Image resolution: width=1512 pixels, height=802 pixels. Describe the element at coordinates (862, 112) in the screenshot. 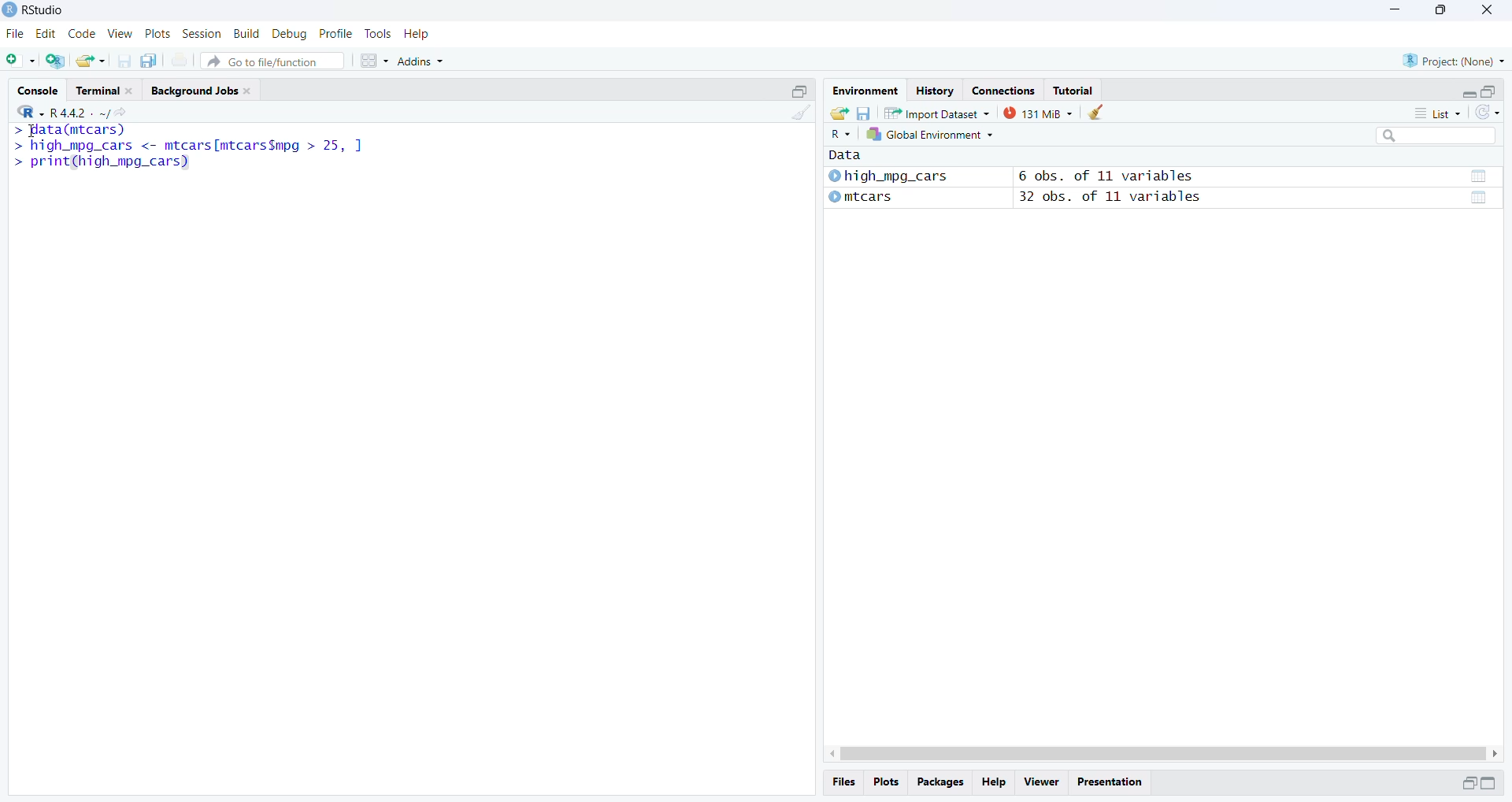

I see `save` at that location.